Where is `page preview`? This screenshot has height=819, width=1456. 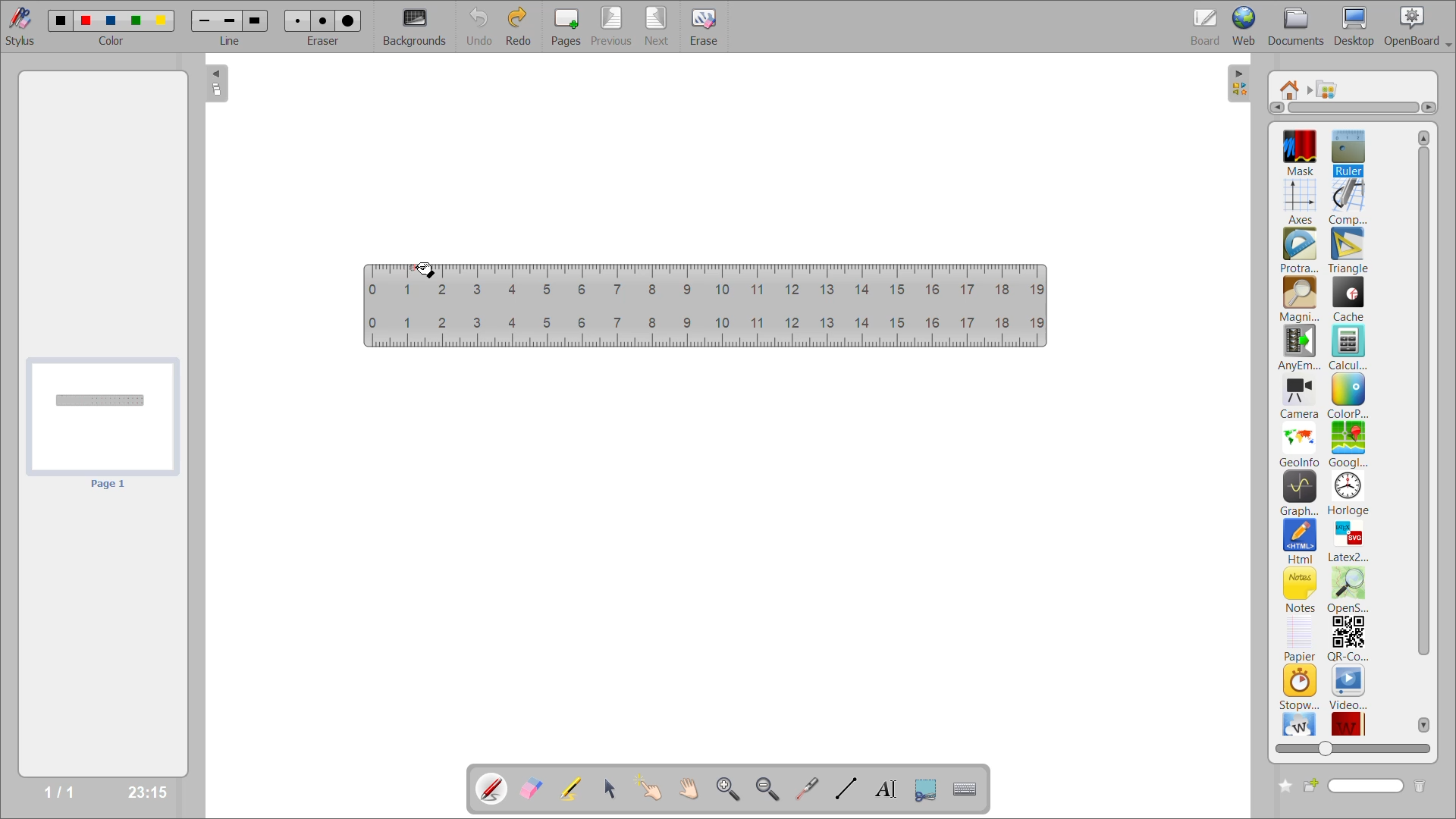
page preview is located at coordinates (100, 425).